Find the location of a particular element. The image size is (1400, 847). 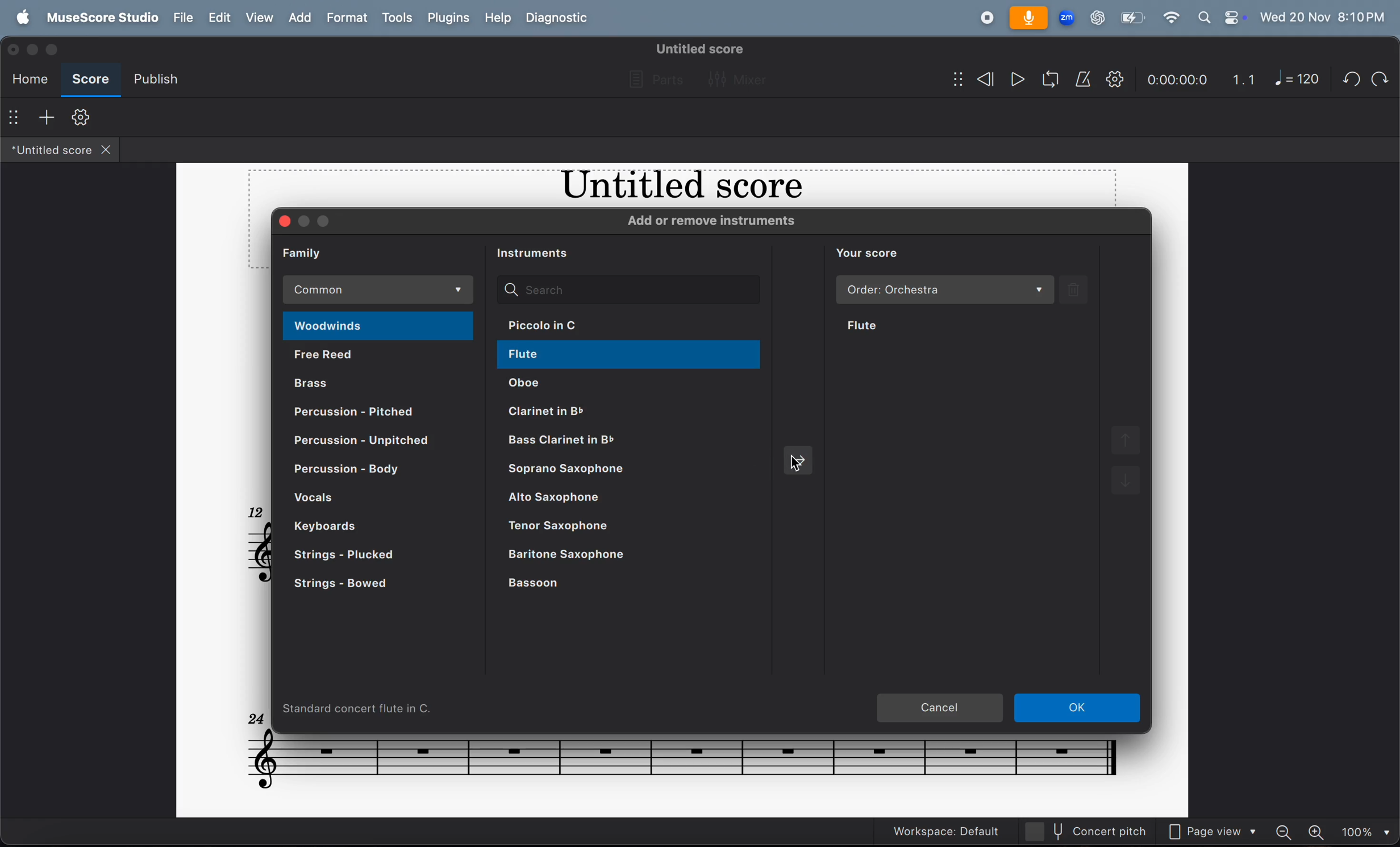

music title is located at coordinates (673, 188).